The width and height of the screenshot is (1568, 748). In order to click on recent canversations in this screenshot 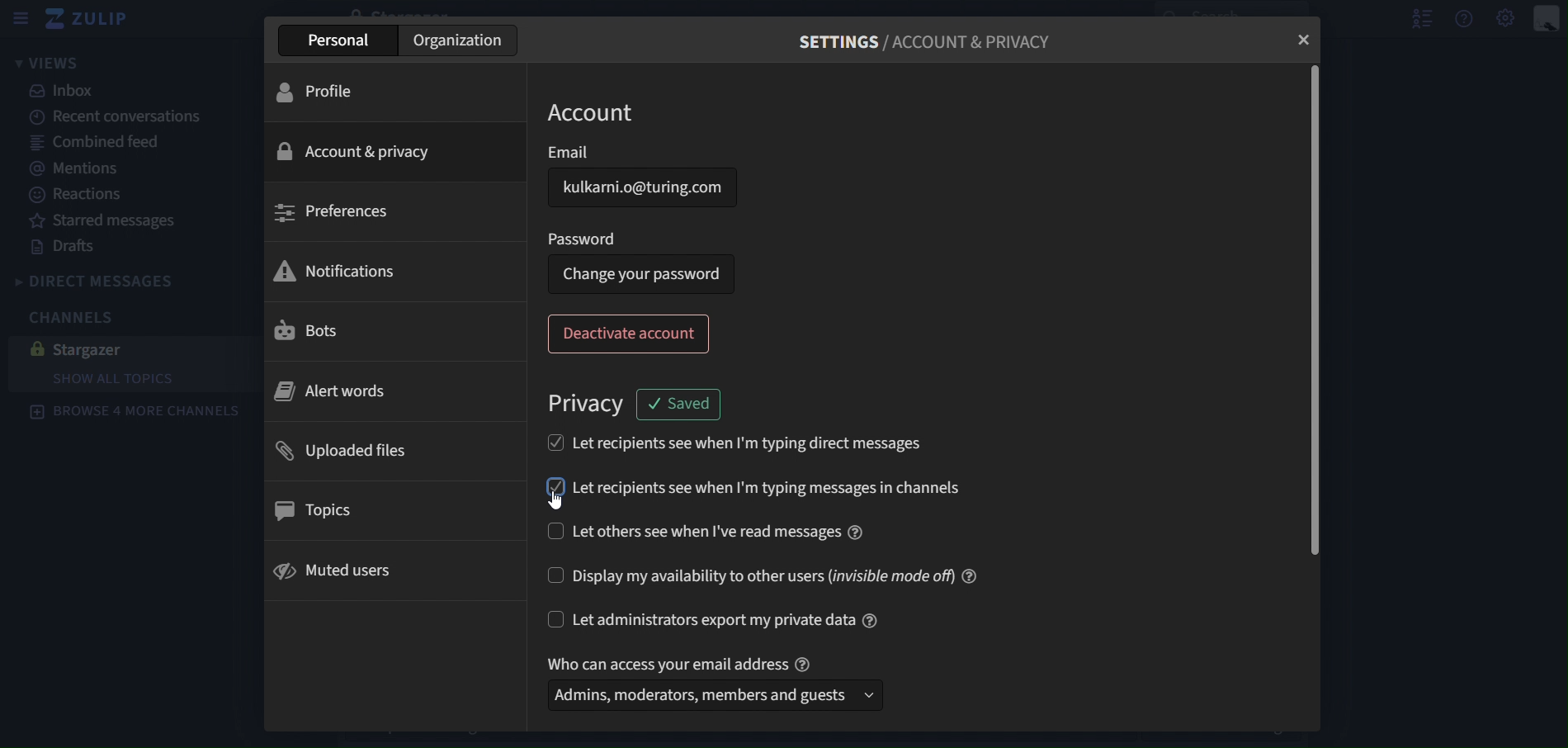, I will do `click(116, 116)`.